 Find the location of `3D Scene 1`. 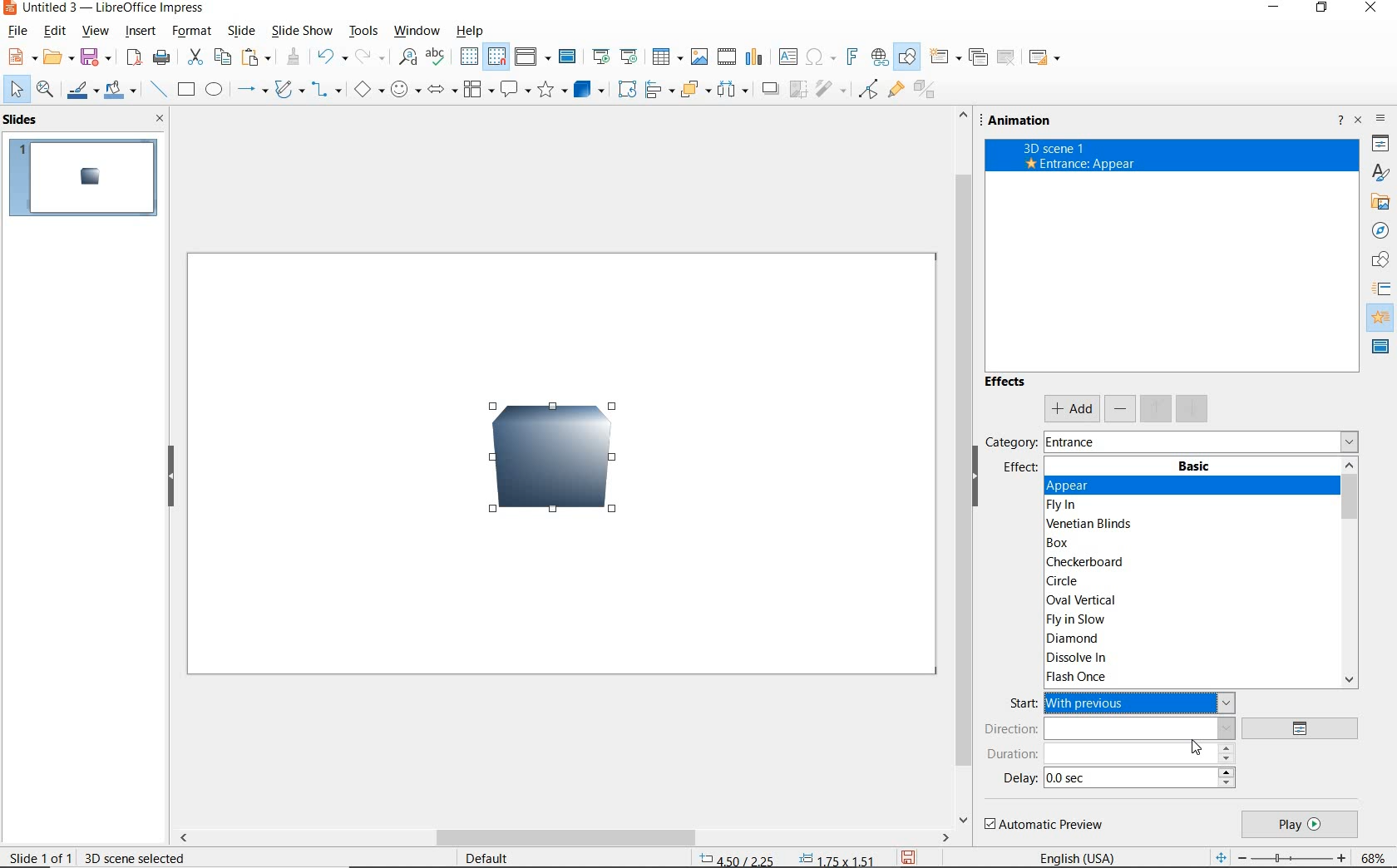

3D Scene 1 is located at coordinates (1172, 146).